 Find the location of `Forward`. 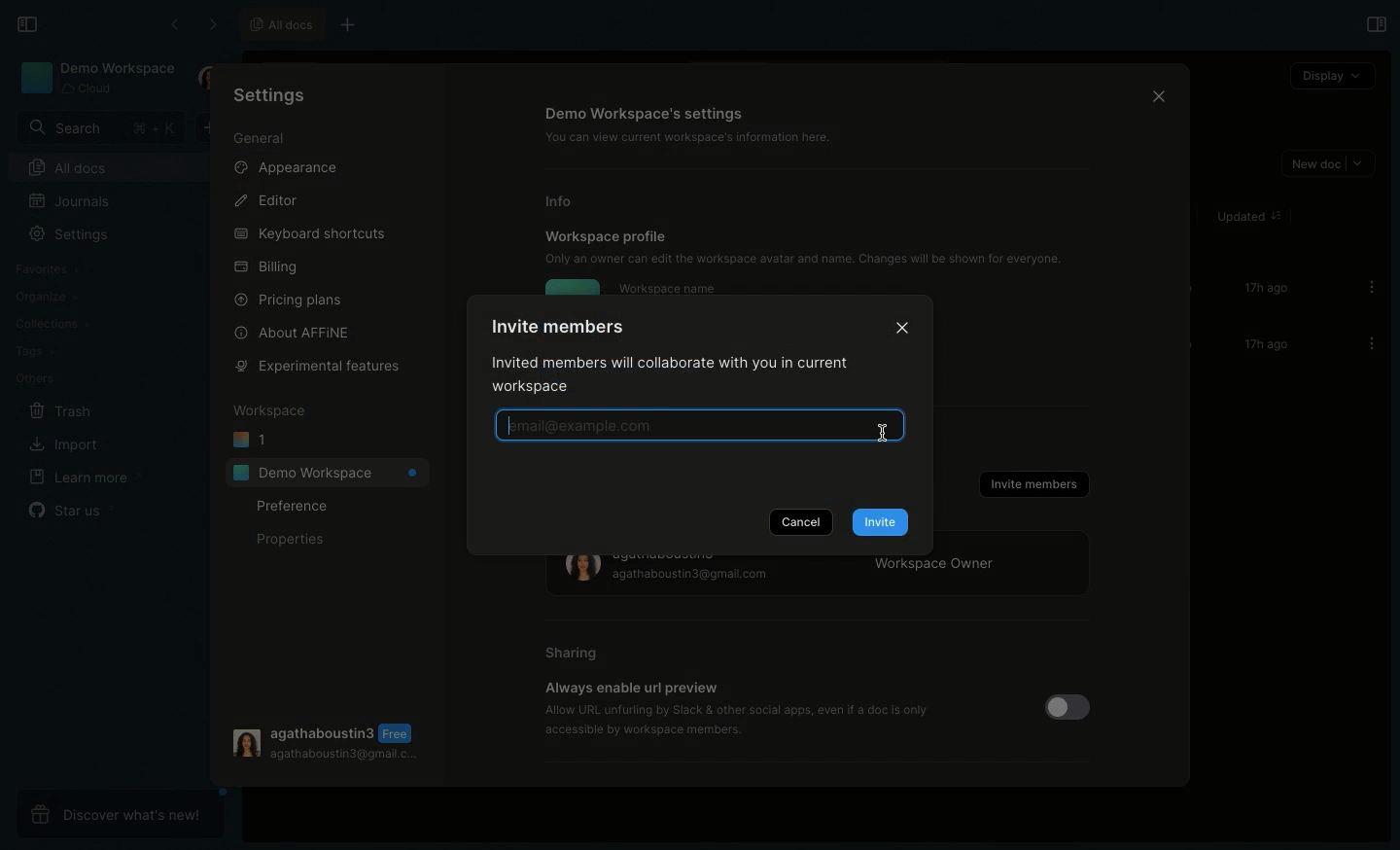

Forward is located at coordinates (210, 23).